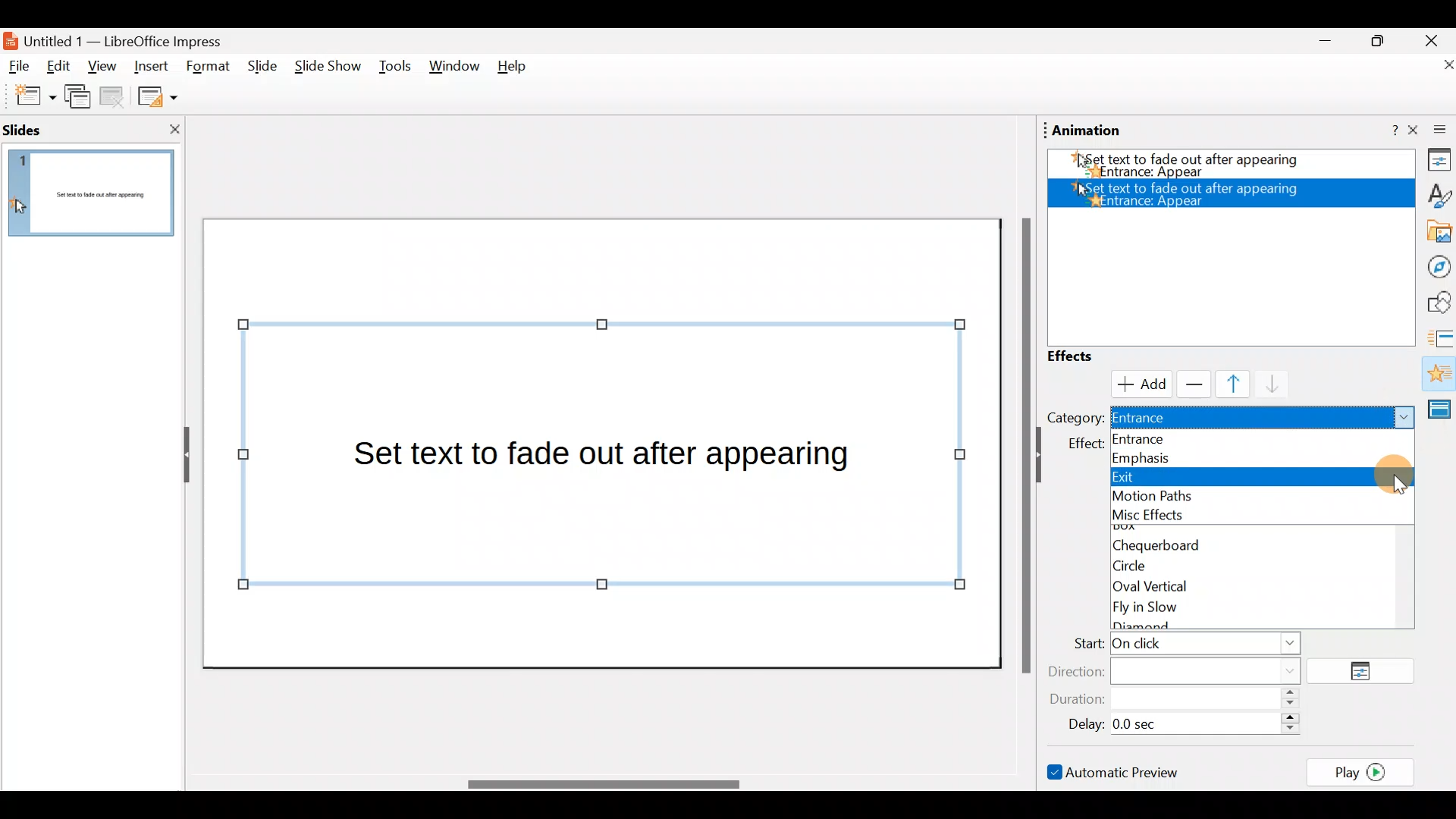 The image size is (1456, 819). I want to click on Entrance, so click(1266, 419).